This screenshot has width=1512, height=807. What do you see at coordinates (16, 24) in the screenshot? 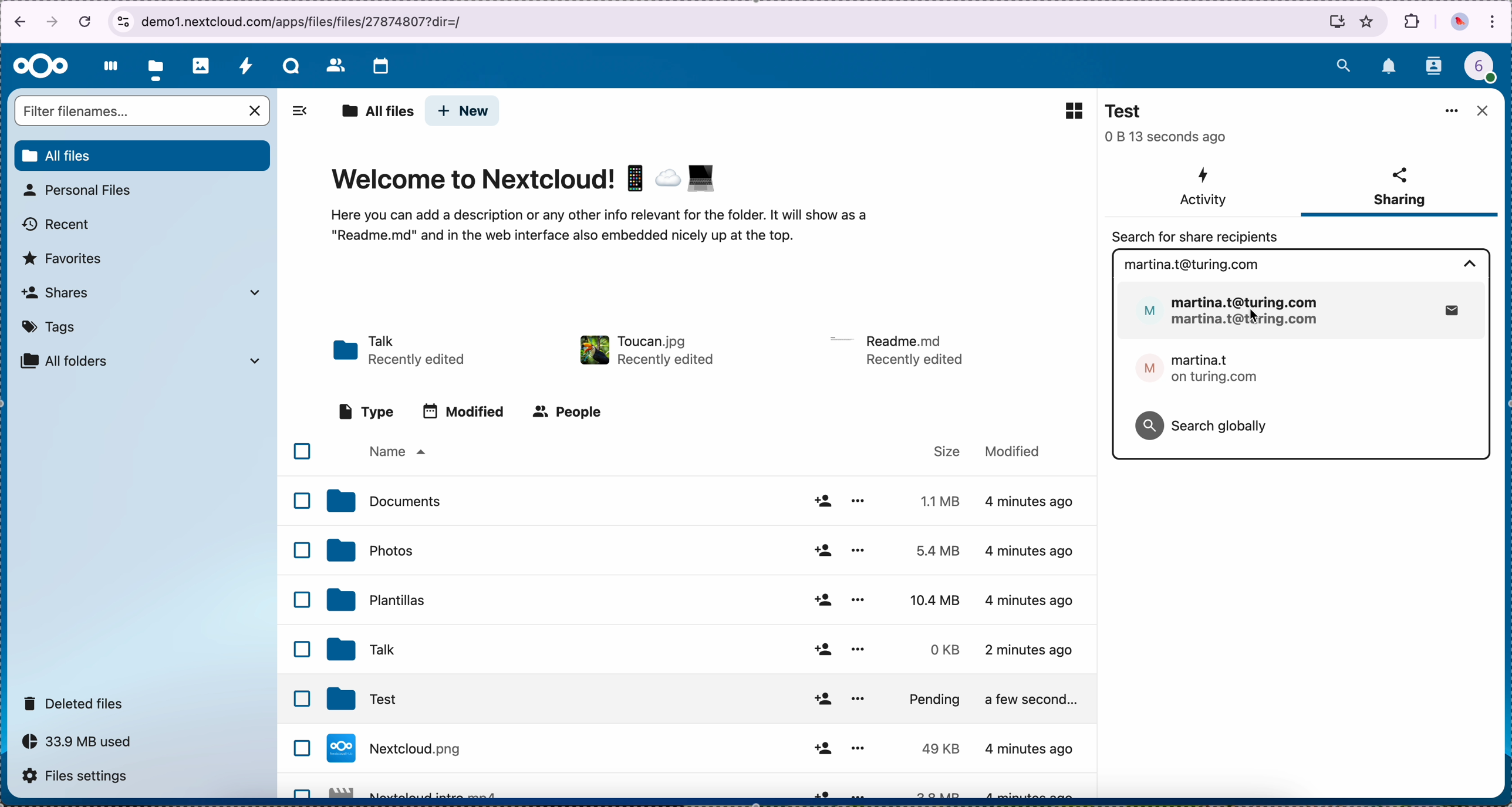
I see `navigate back` at bounding box center [16, 24].